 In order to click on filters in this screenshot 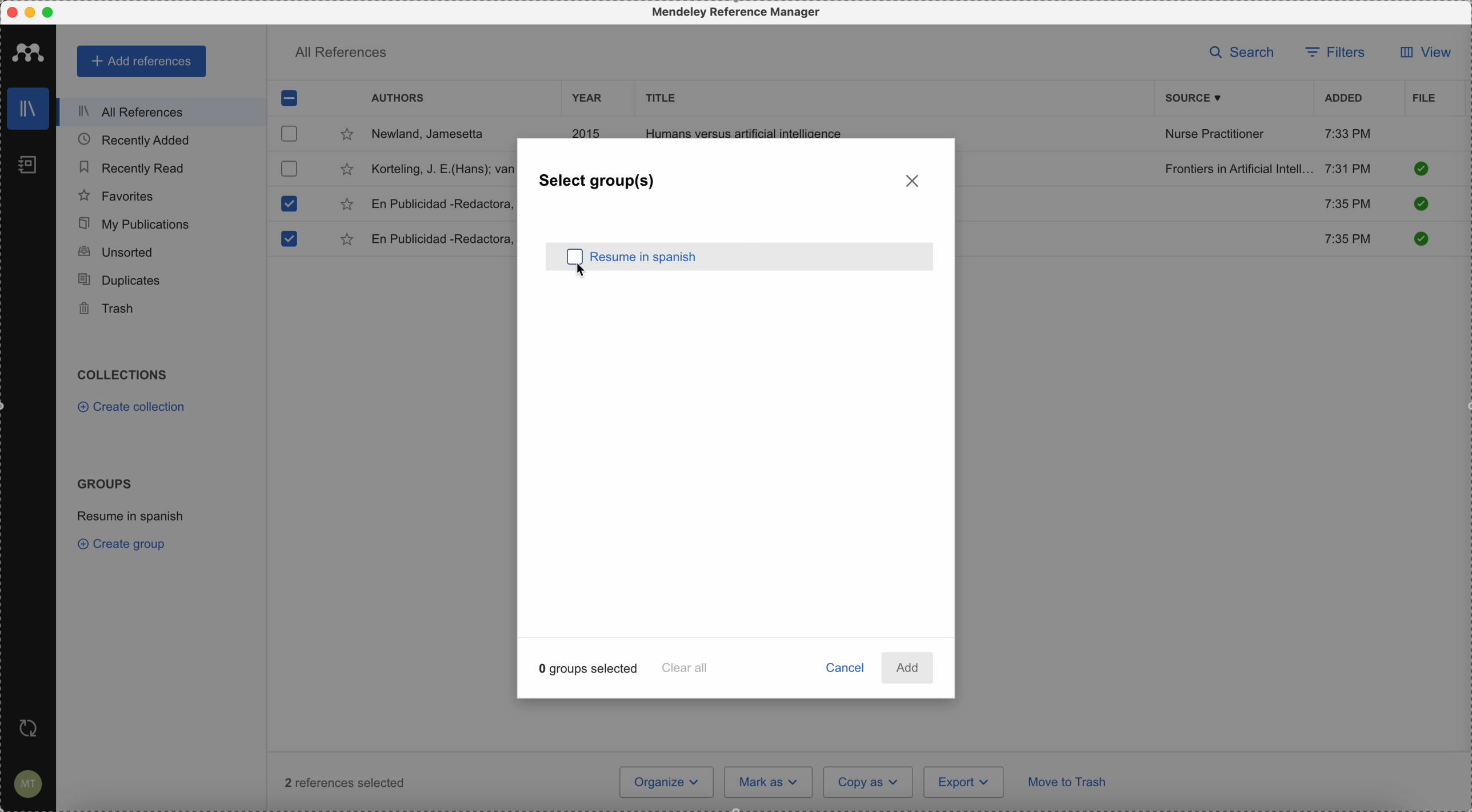, I will do `click(1335, 54)`.